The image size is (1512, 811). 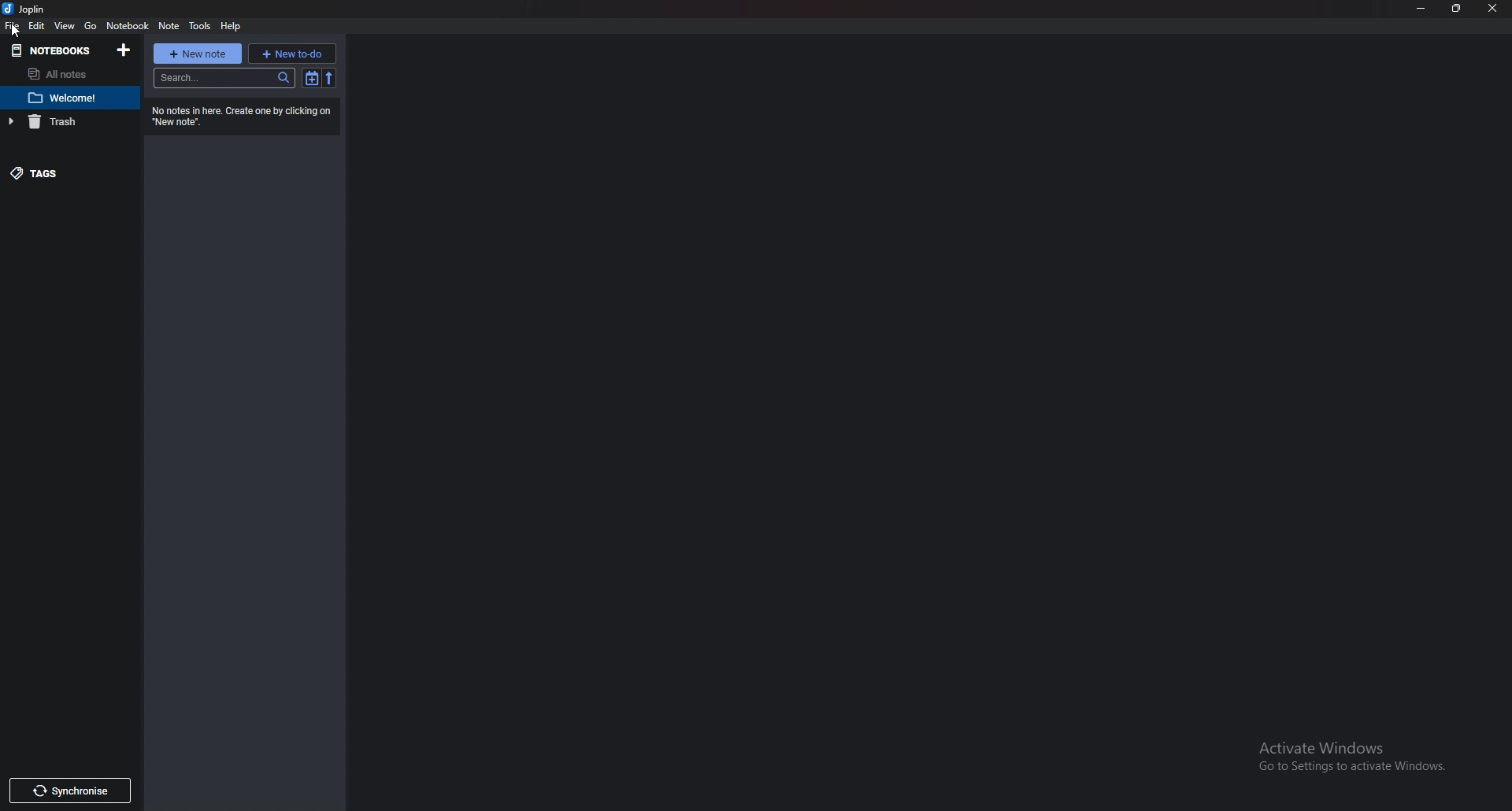 I want to click on All notes, so click(x=69, y=72).